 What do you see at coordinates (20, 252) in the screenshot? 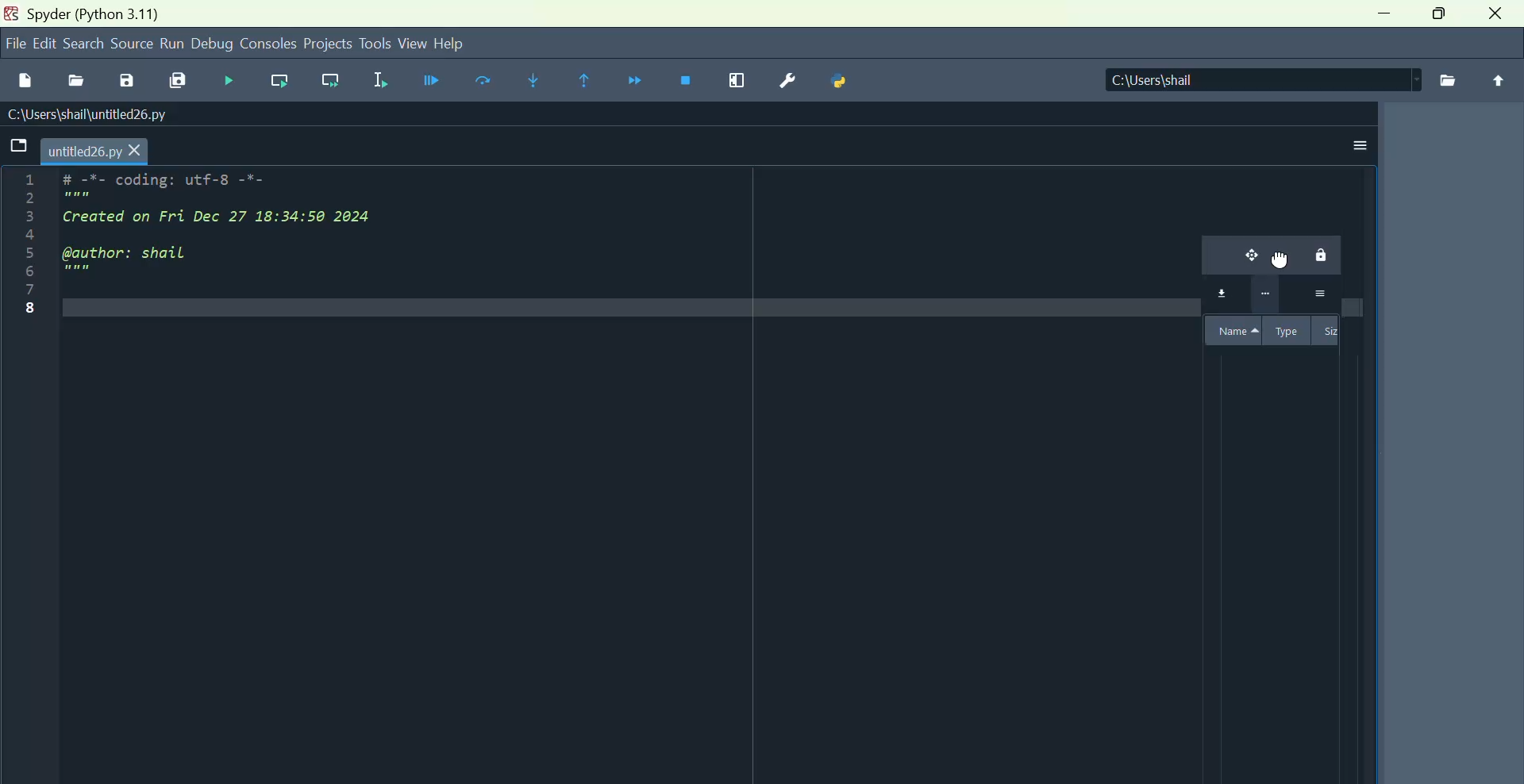
I see `Line numbers` at bounding box center [20, 252].